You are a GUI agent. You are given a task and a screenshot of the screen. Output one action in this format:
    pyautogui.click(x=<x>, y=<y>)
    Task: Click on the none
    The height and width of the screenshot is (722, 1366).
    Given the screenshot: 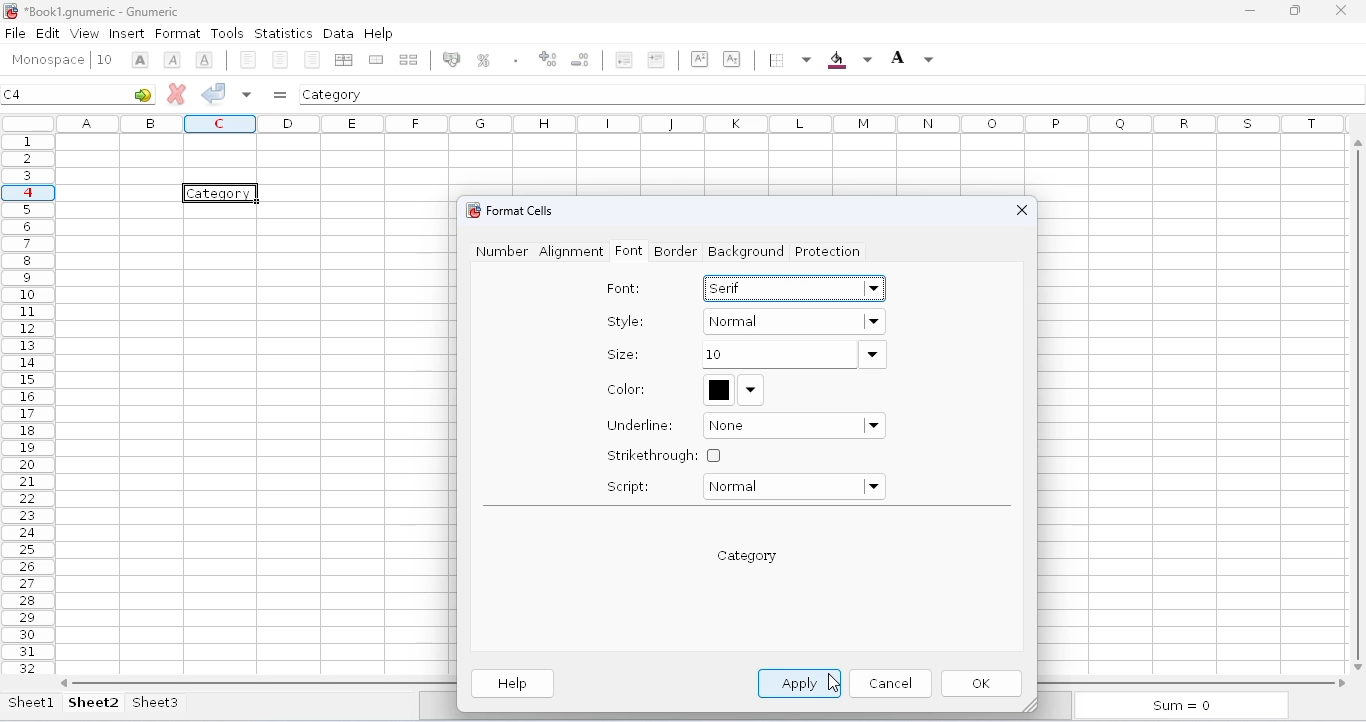 What is the action you would take?
    pyautogui.click(x=795, y=426)
    